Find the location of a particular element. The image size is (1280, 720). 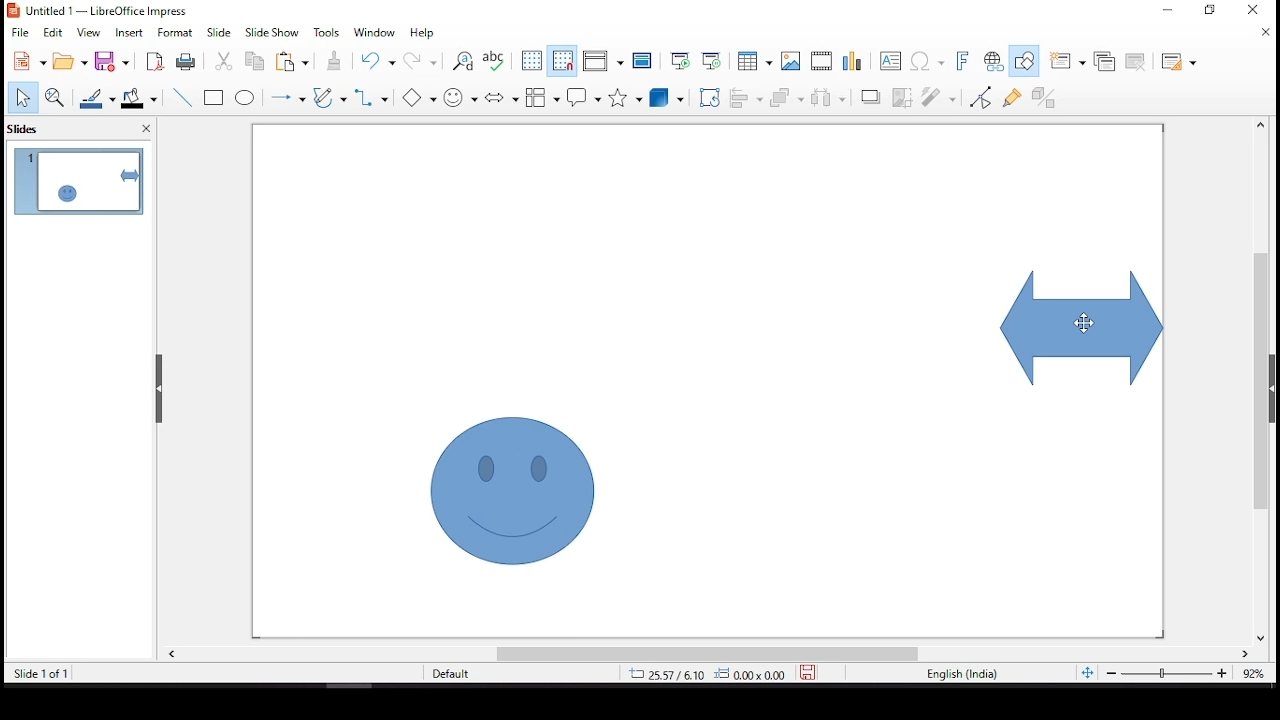

slide 1 of 1 is located at coordinates (41, 675).